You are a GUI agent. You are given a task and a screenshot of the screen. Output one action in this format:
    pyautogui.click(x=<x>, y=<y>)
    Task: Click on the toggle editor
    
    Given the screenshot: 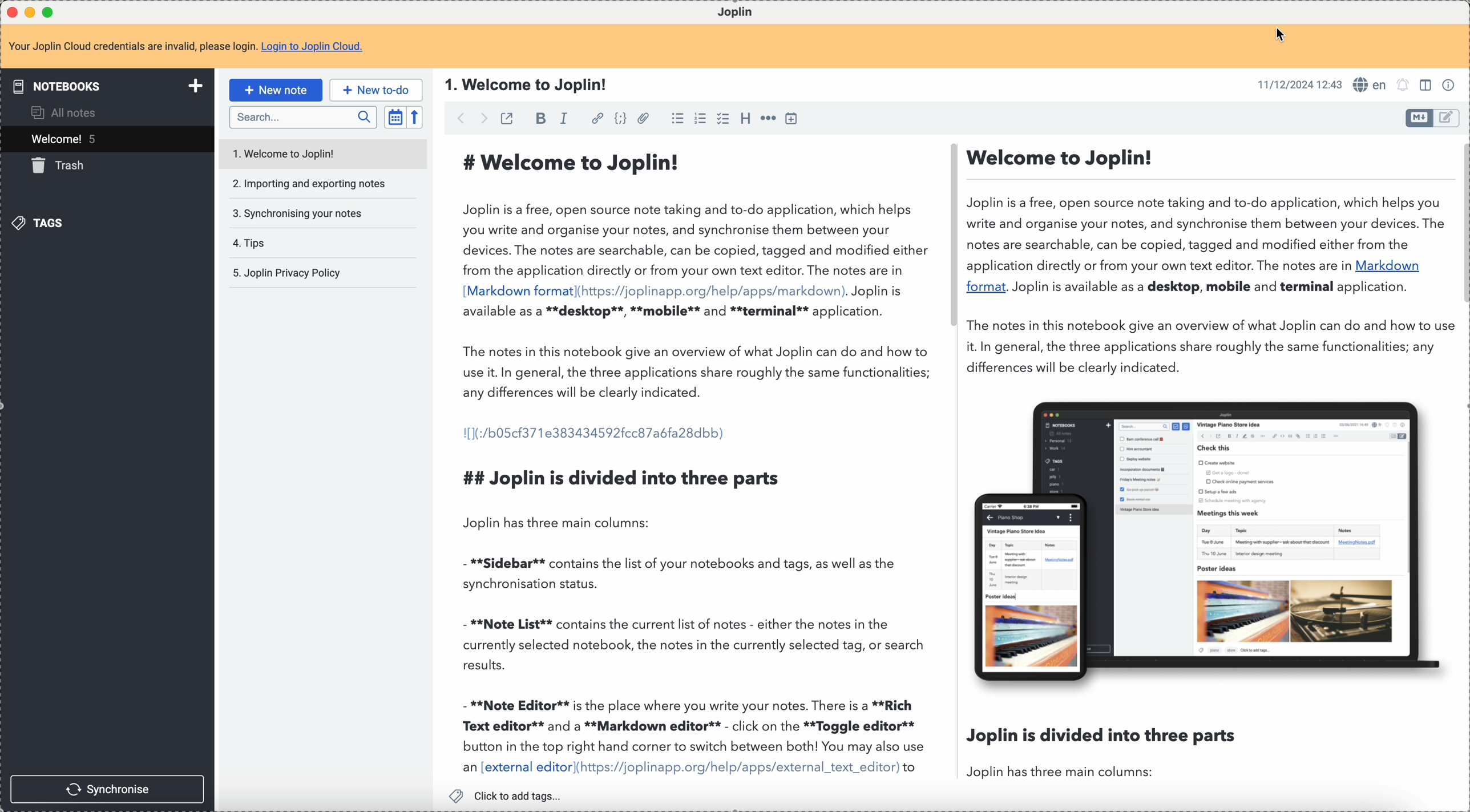 What is the action you would take?
    pyautogui.click(x=1415, y=118)
    